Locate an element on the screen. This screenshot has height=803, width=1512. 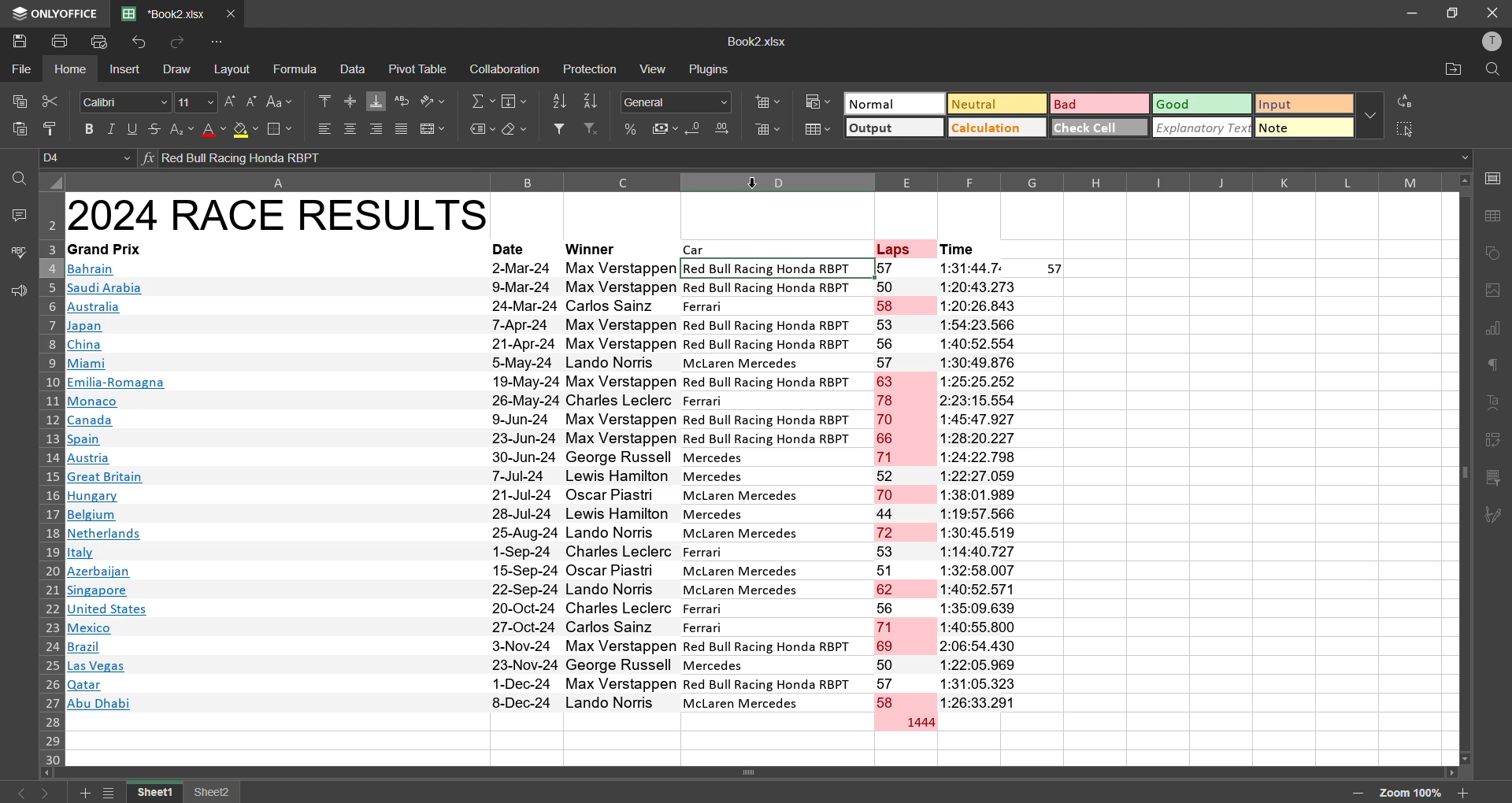
laps is located at coordinates (906, 486).